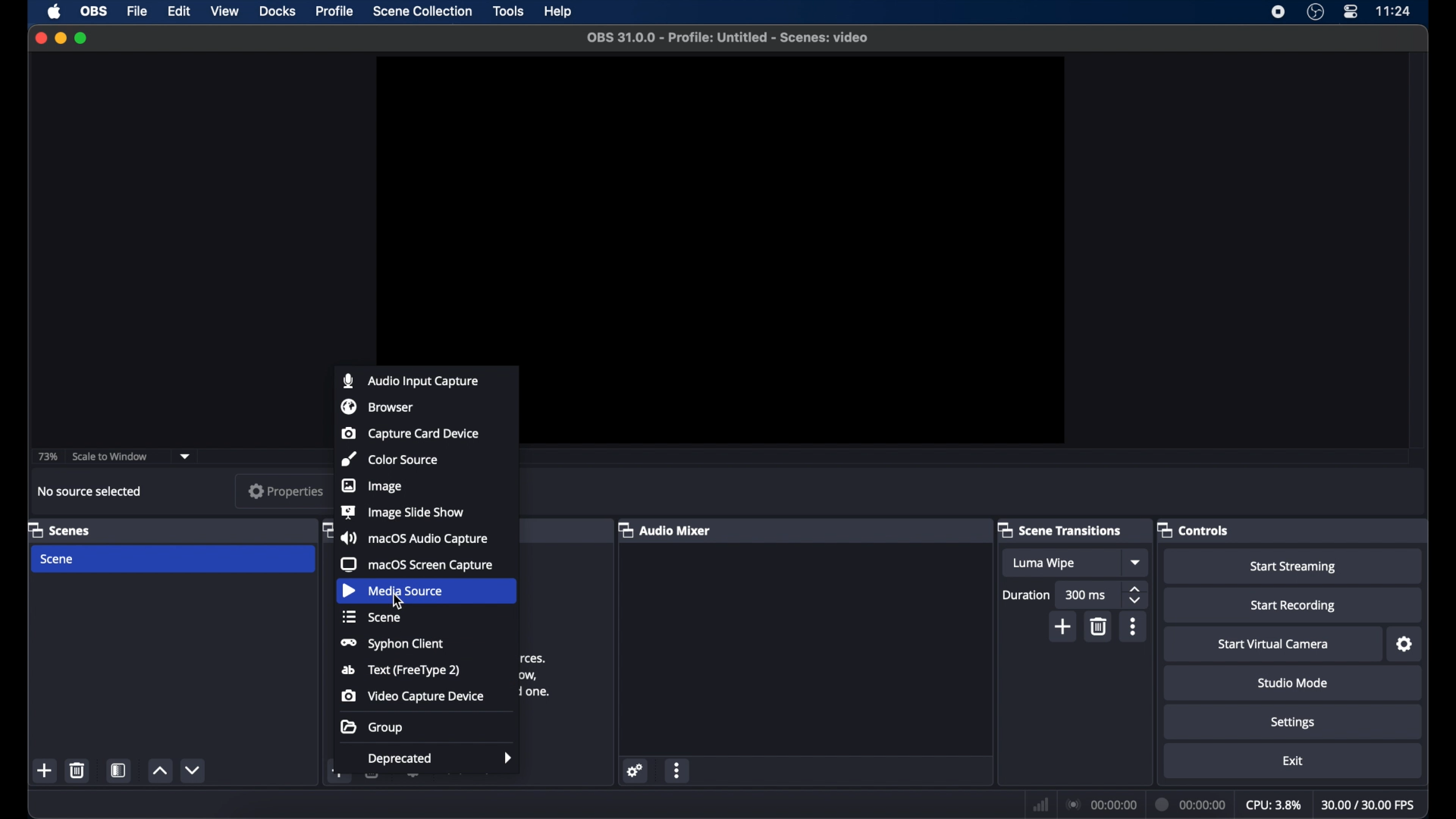  I want to click on screen recorder icon, so click(1277, 11).